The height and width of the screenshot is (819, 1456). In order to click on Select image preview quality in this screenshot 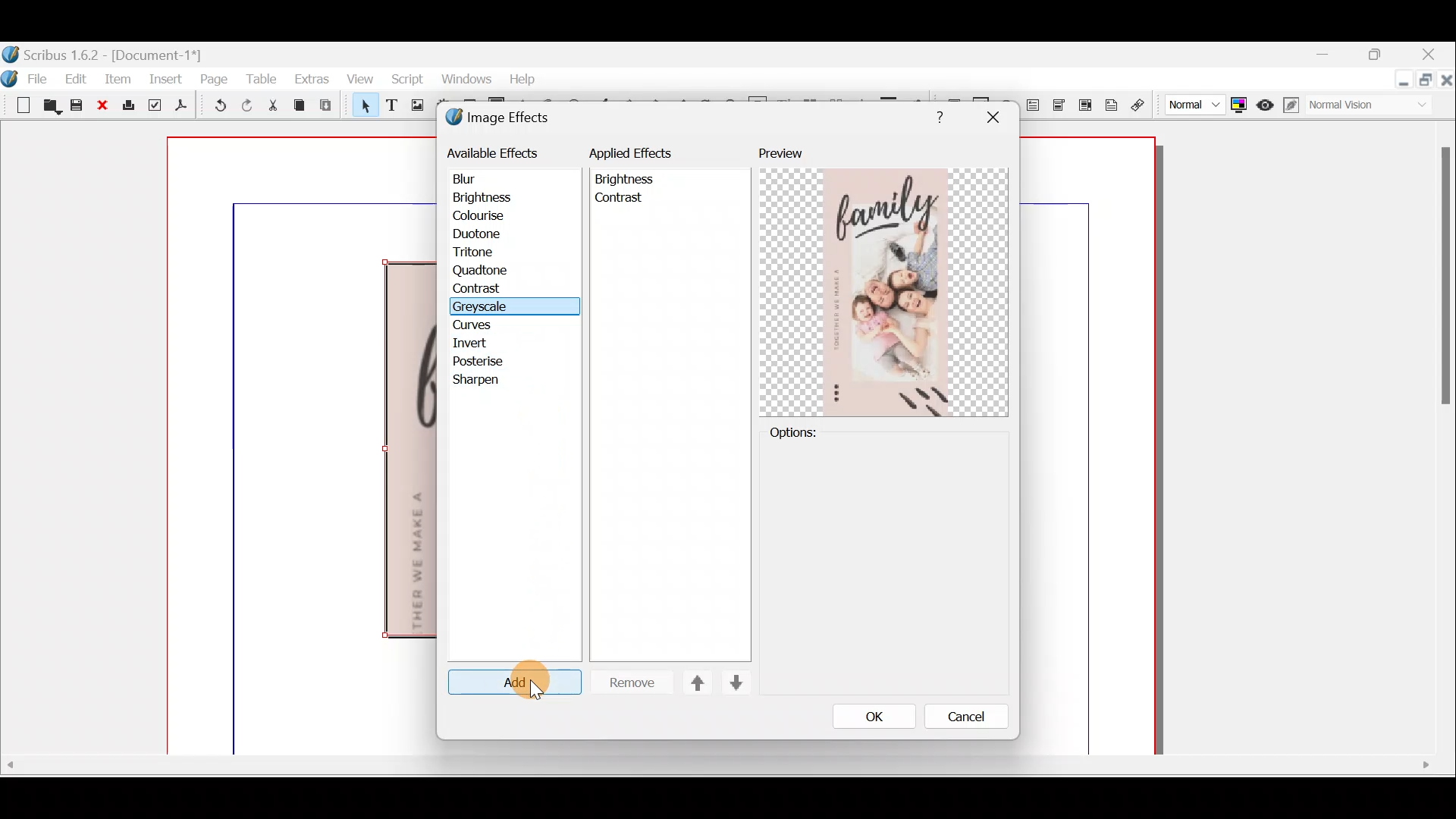, I will do `click(1188, 106)`.